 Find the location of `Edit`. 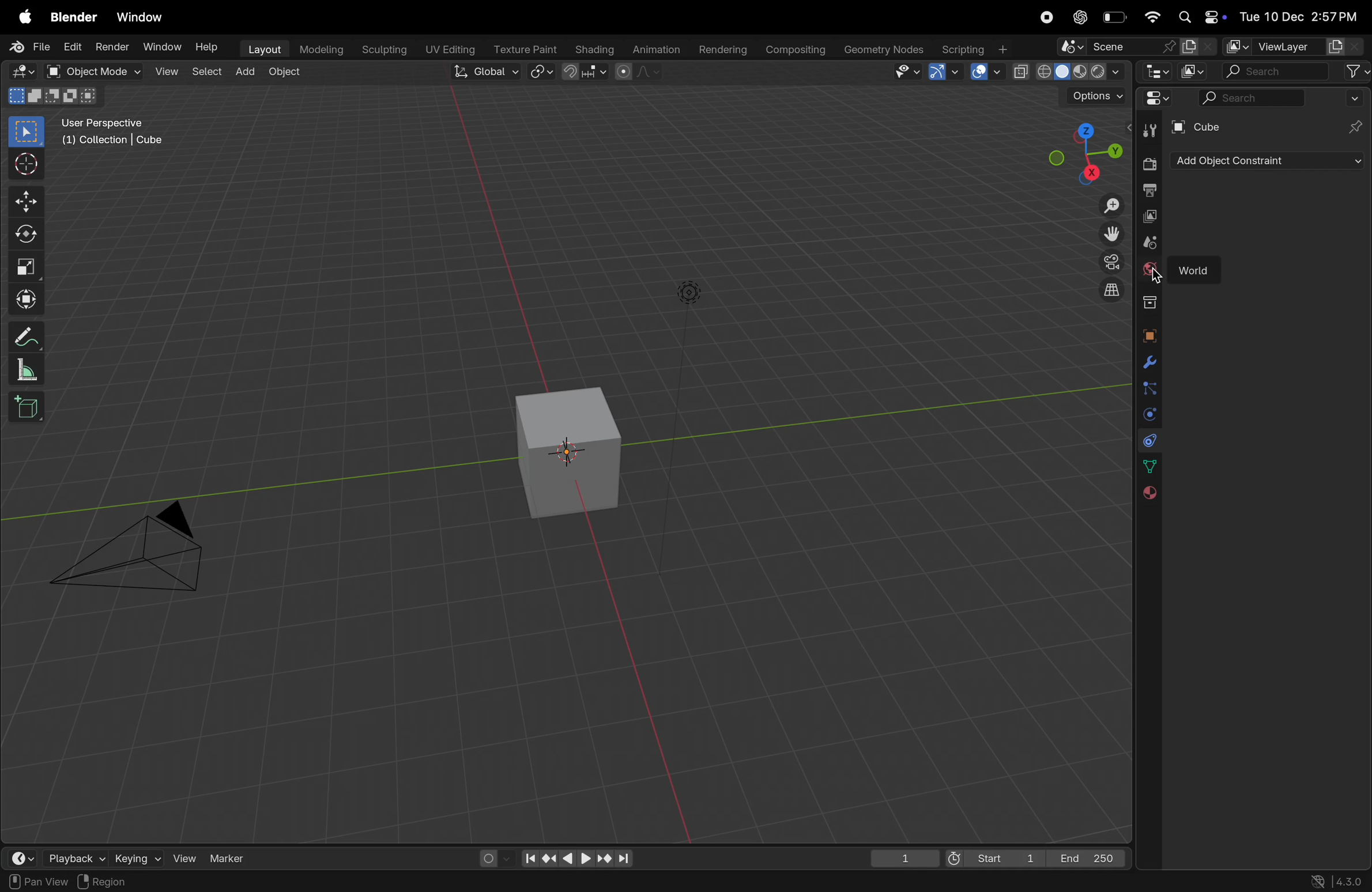

Edit is located at coordinates (71, 47).